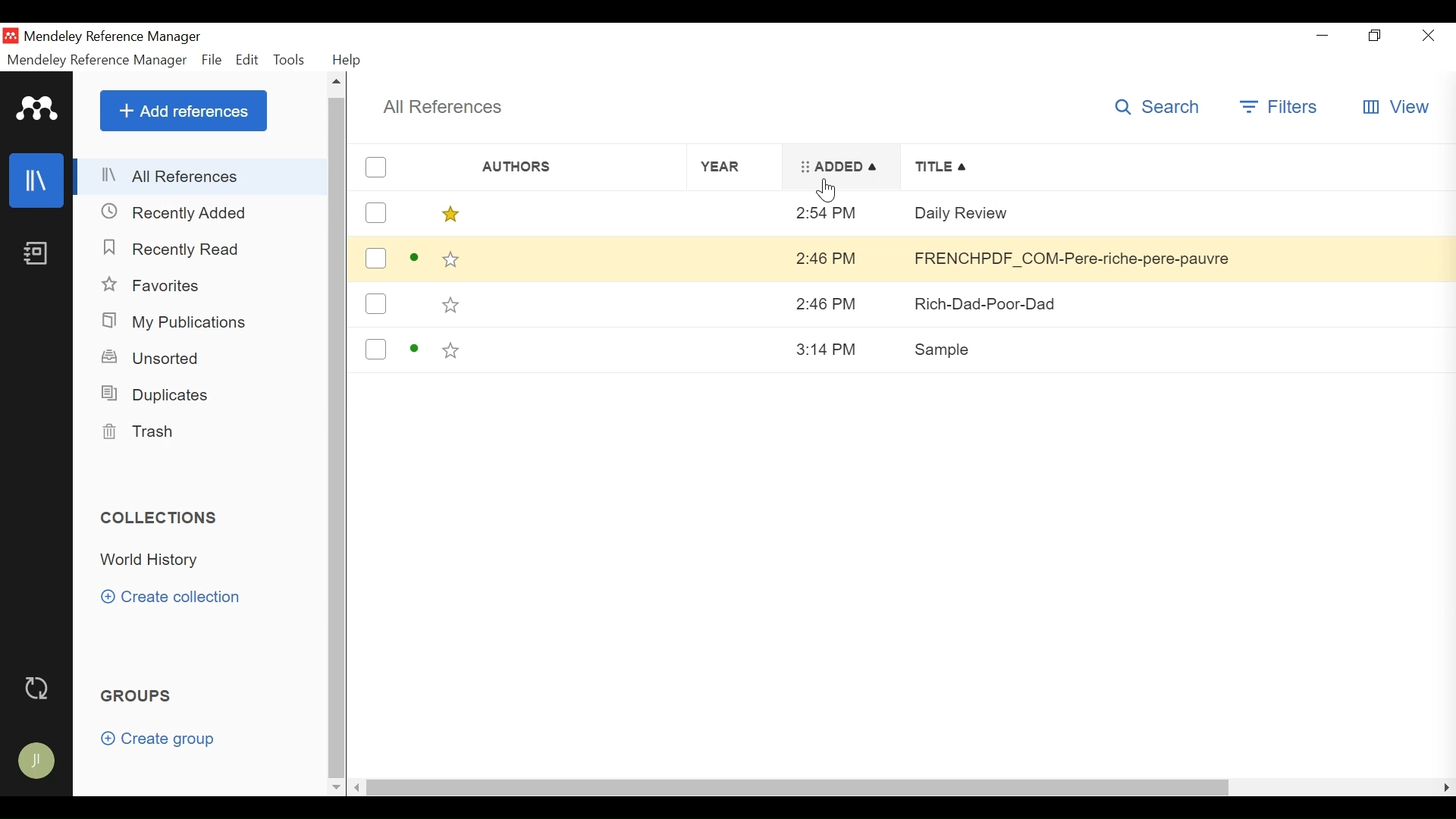 This screenshot has width=1456, height=819. Describe the element at coordinates (1177, 347) in the screenshot. I see `Sample` at that location.